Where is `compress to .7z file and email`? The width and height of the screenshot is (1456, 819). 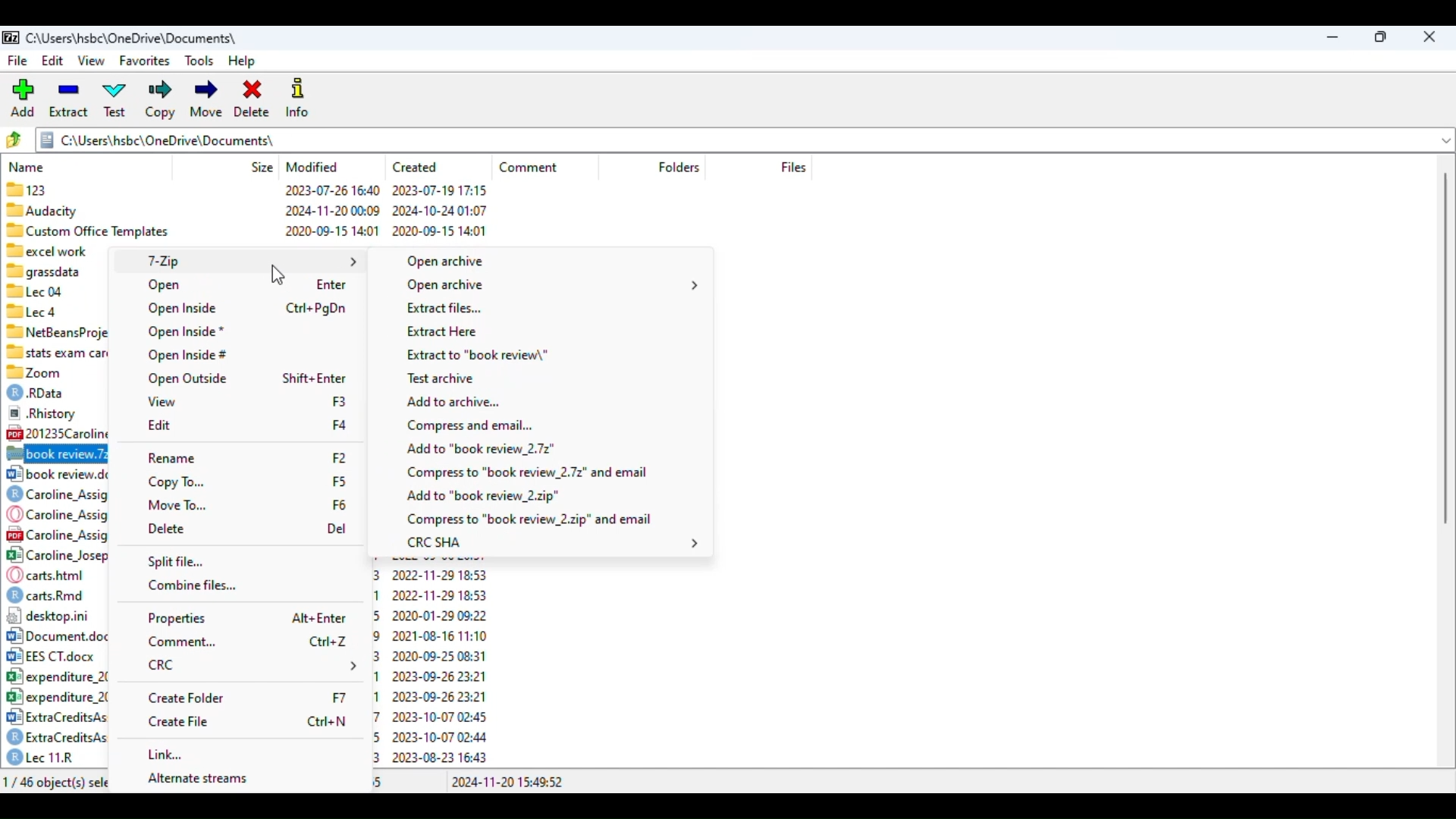 compress to .7z file and email is located at coordinates (529, 472).